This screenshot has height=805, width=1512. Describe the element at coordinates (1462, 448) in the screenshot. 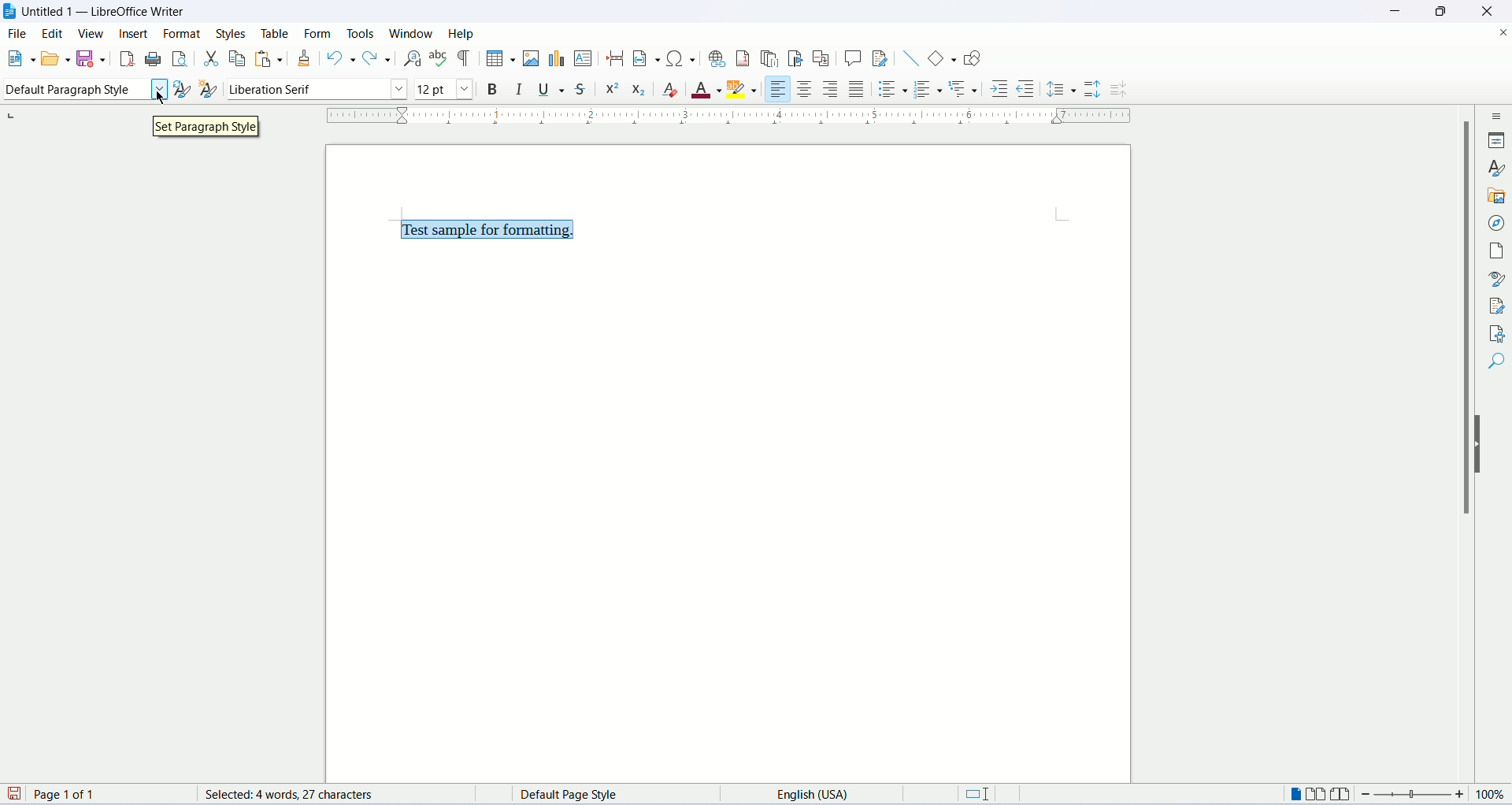

I see `vertical scroll bar` at that location.